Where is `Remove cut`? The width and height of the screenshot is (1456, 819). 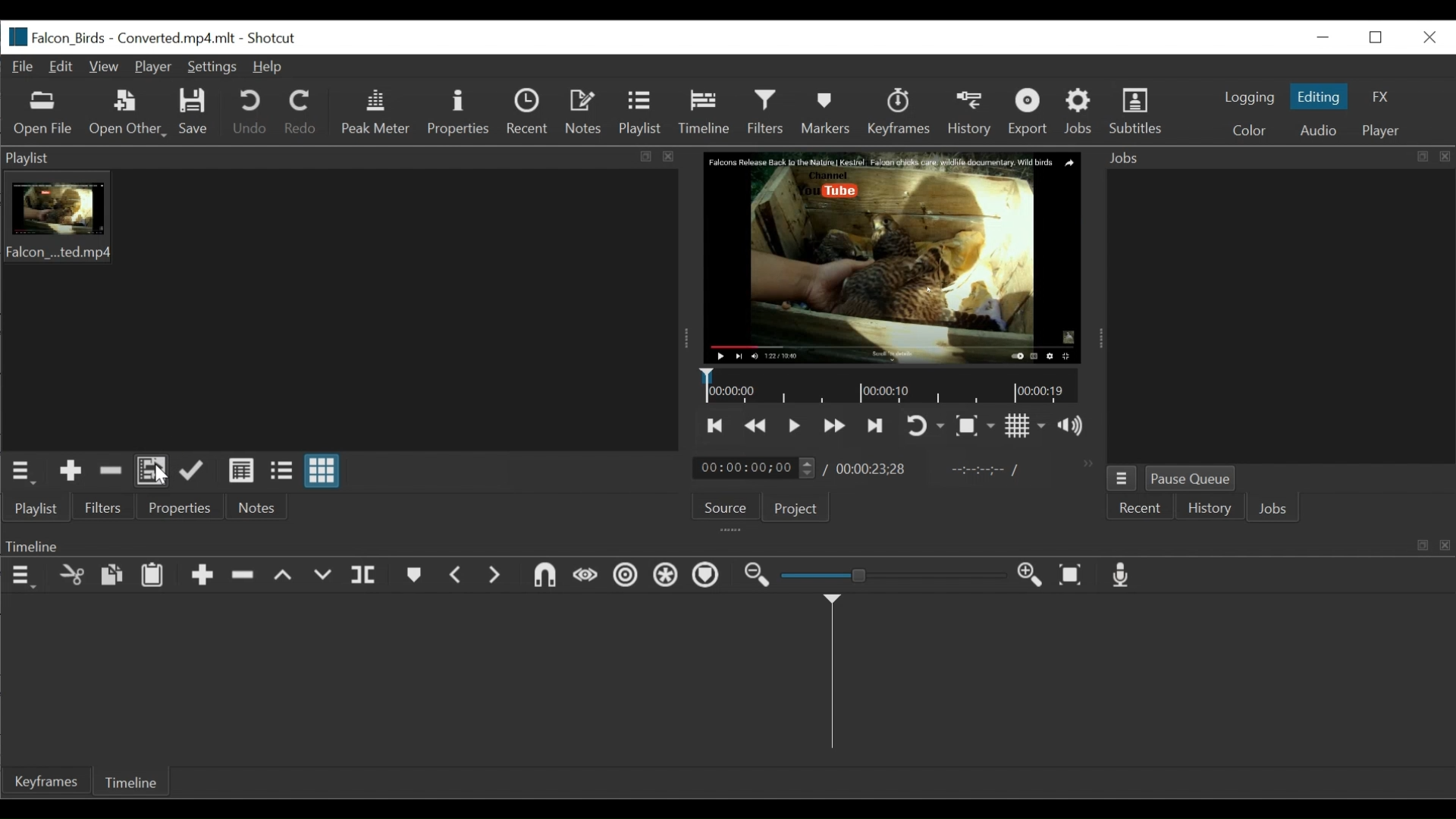 Remove cut is located at coordinates (108, 472).